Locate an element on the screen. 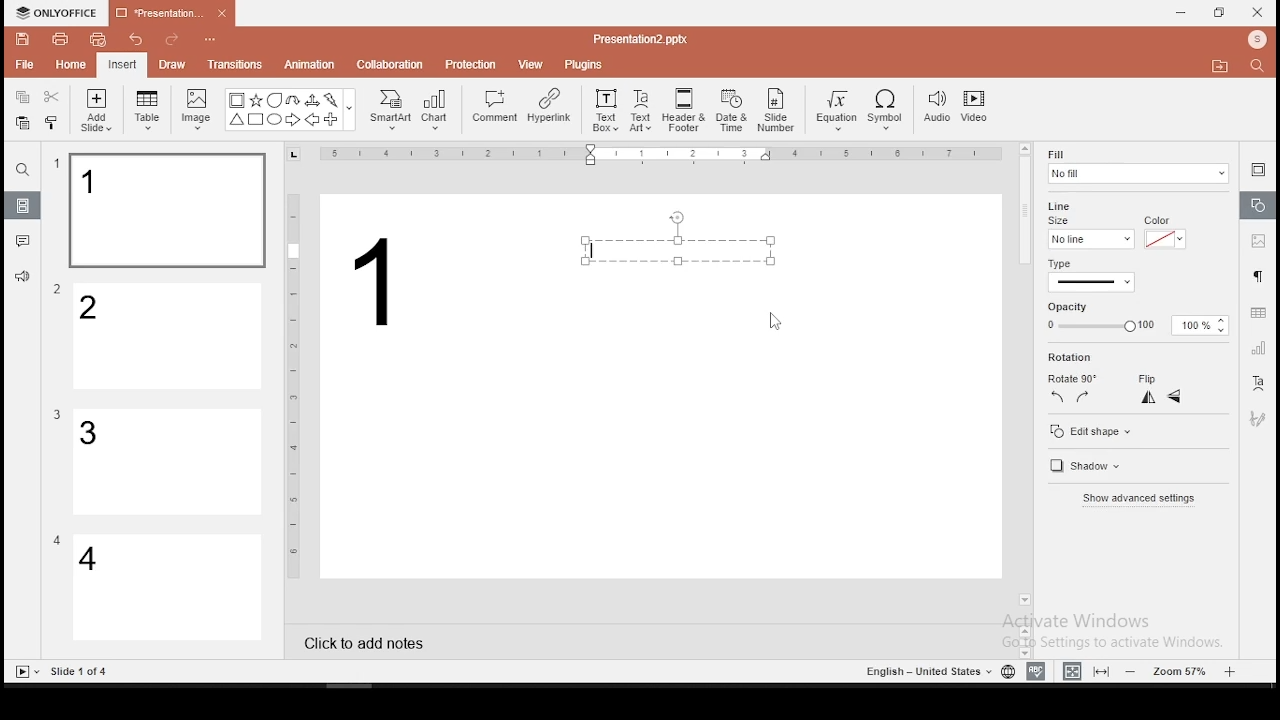 Image resolution: width=1280 pixels, height=720 pixels. smart is located at coordinates (388, 110).